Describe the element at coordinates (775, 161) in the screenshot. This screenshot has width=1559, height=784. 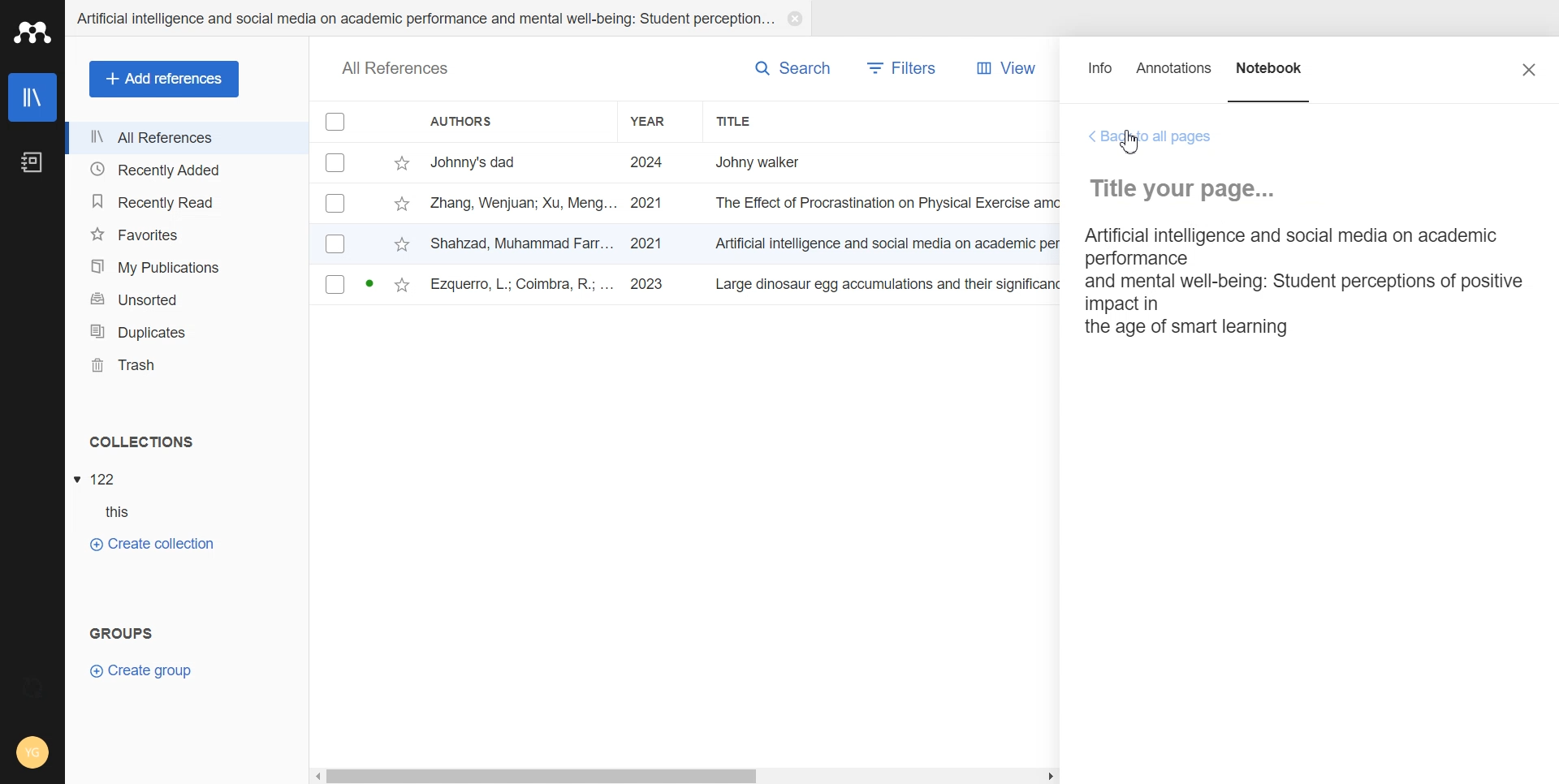
I see `Johny walker` at that location.